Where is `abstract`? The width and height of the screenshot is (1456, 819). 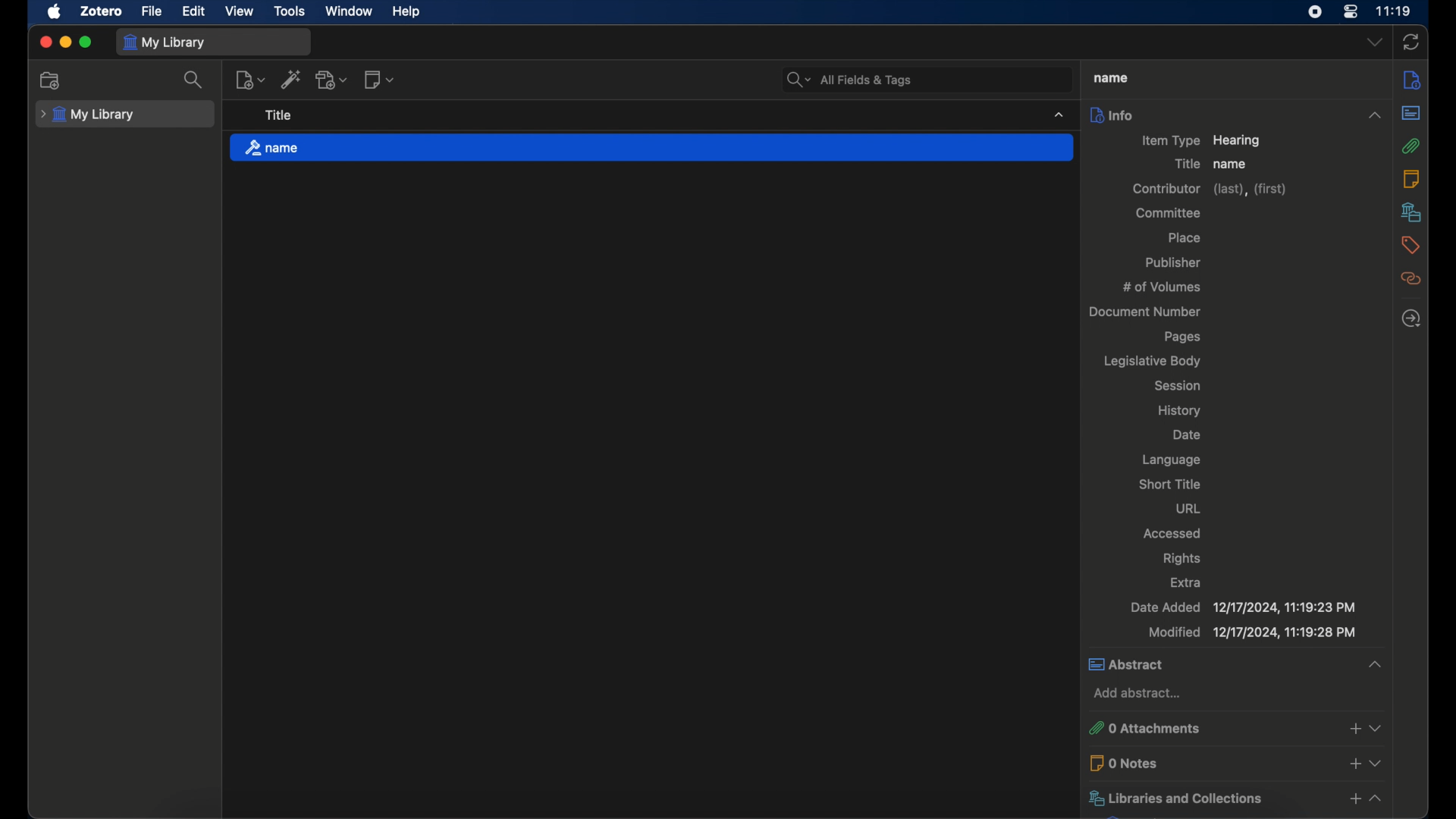 abstract is located at coordinates (1412, 113).